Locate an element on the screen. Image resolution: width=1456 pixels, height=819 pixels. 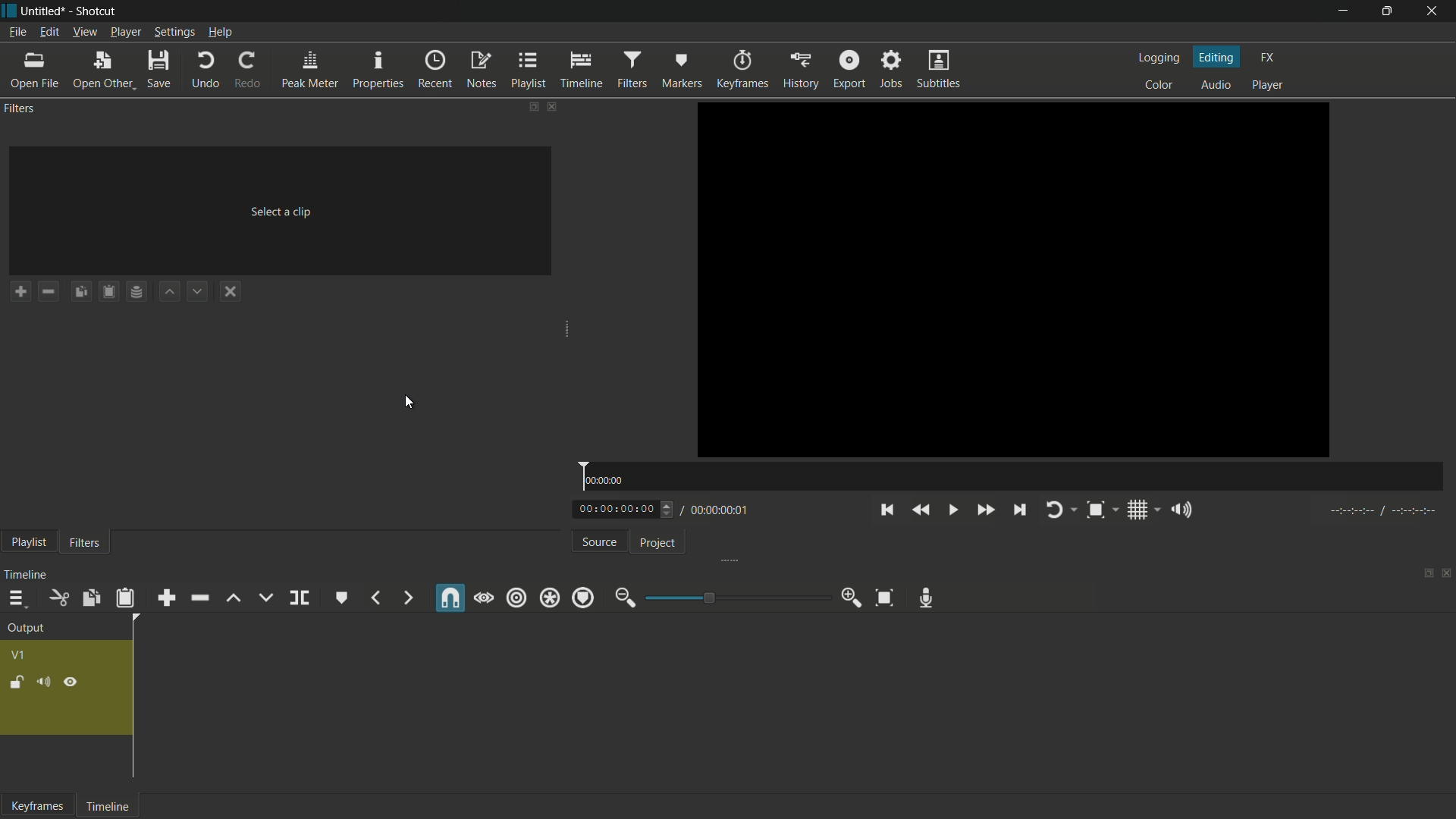
jobs is located at coordinates (891, 68).